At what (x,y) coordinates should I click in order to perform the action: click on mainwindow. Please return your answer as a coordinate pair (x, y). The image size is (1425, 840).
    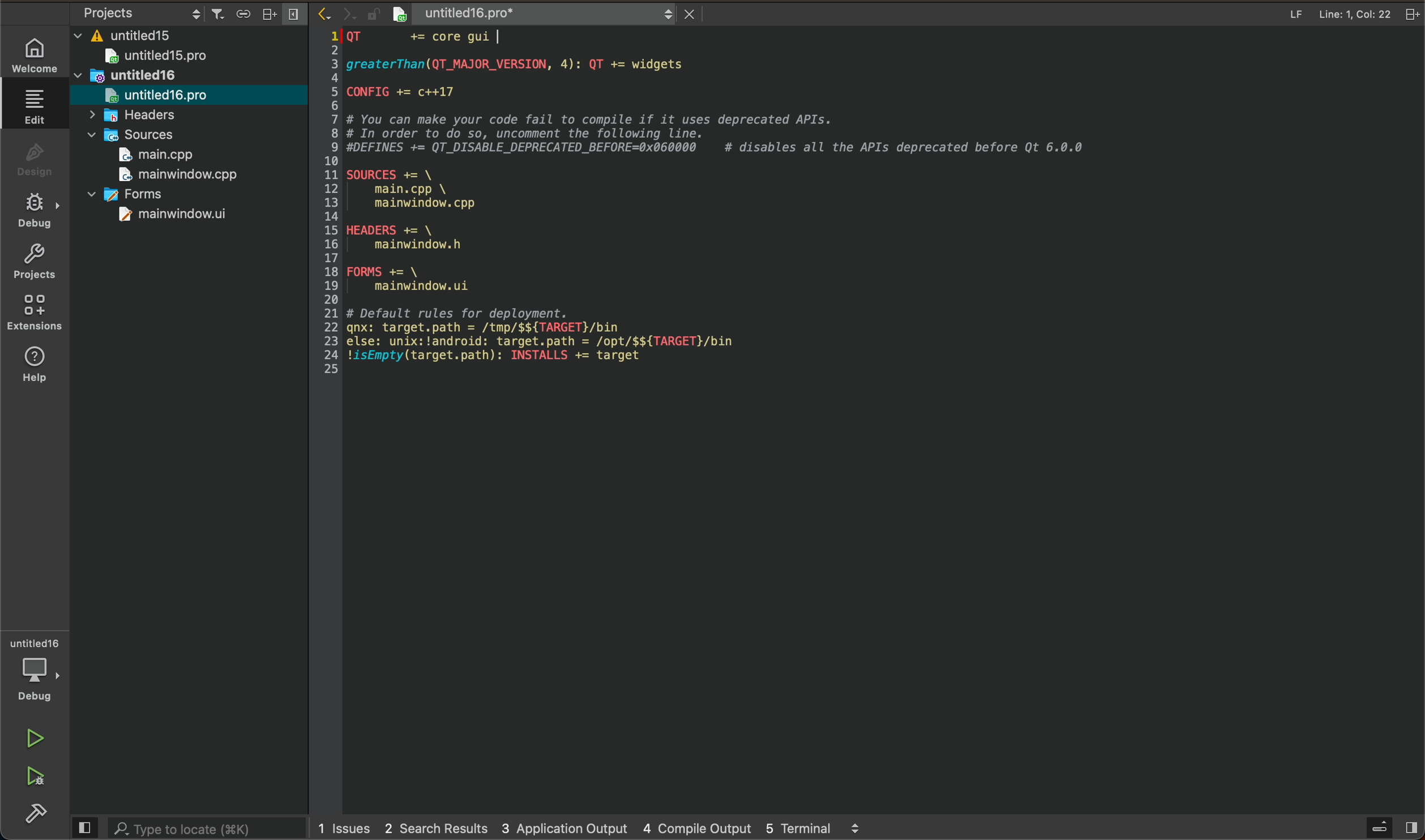
    Looking at the image, I should click on (169, 217).